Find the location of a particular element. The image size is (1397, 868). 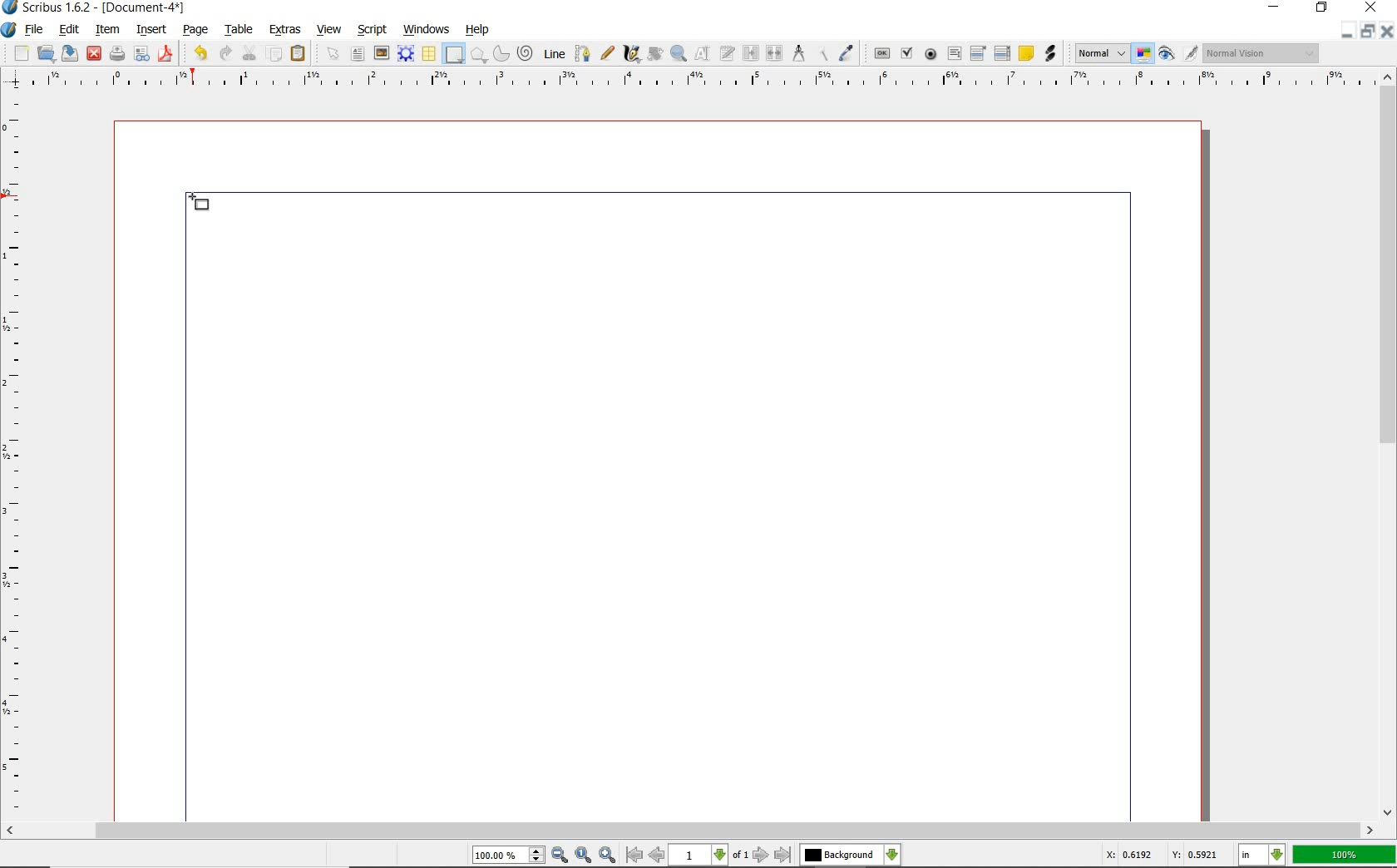

1 is located at coordinates (699, 856).